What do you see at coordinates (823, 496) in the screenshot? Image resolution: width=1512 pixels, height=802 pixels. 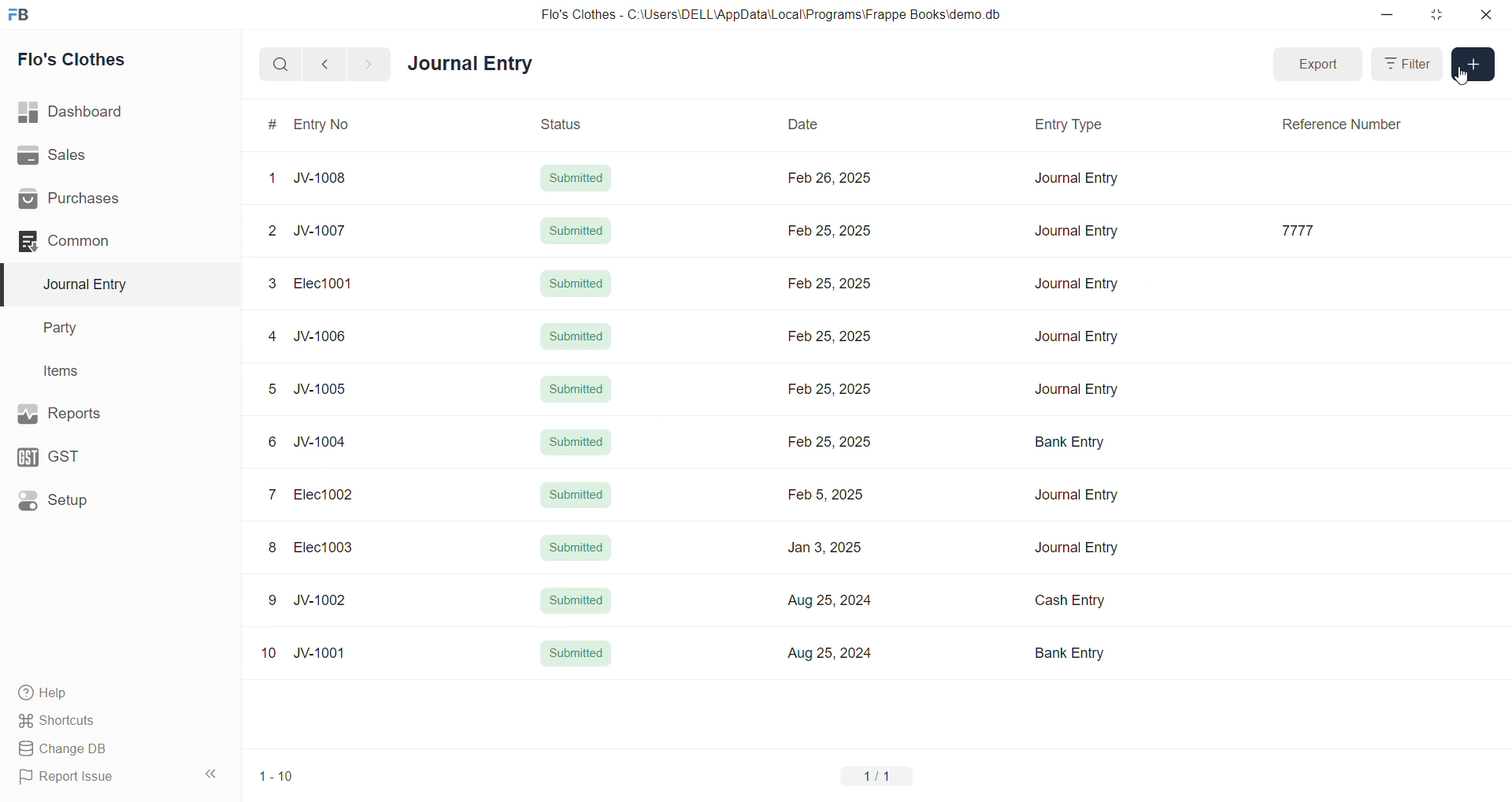 I see `Feb 5, 2025` at bounding box center [823, 496].